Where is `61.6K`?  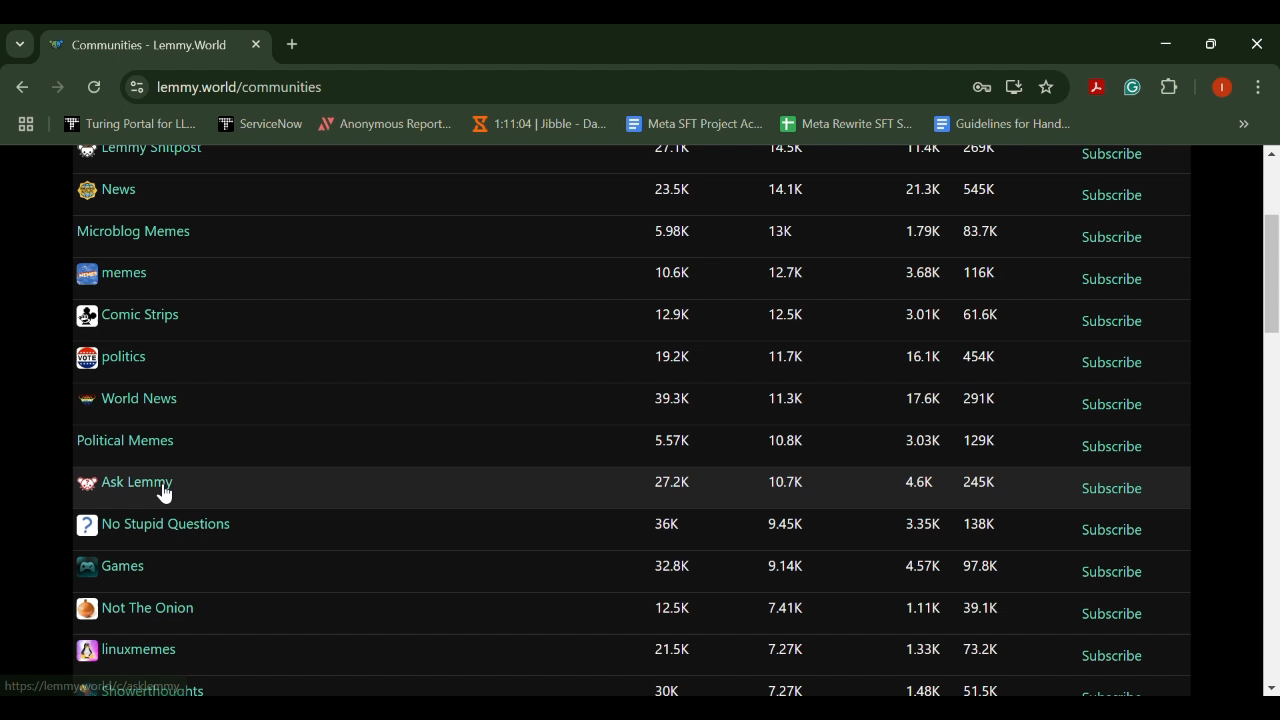 61.6K is located at coordinates (982, 314).